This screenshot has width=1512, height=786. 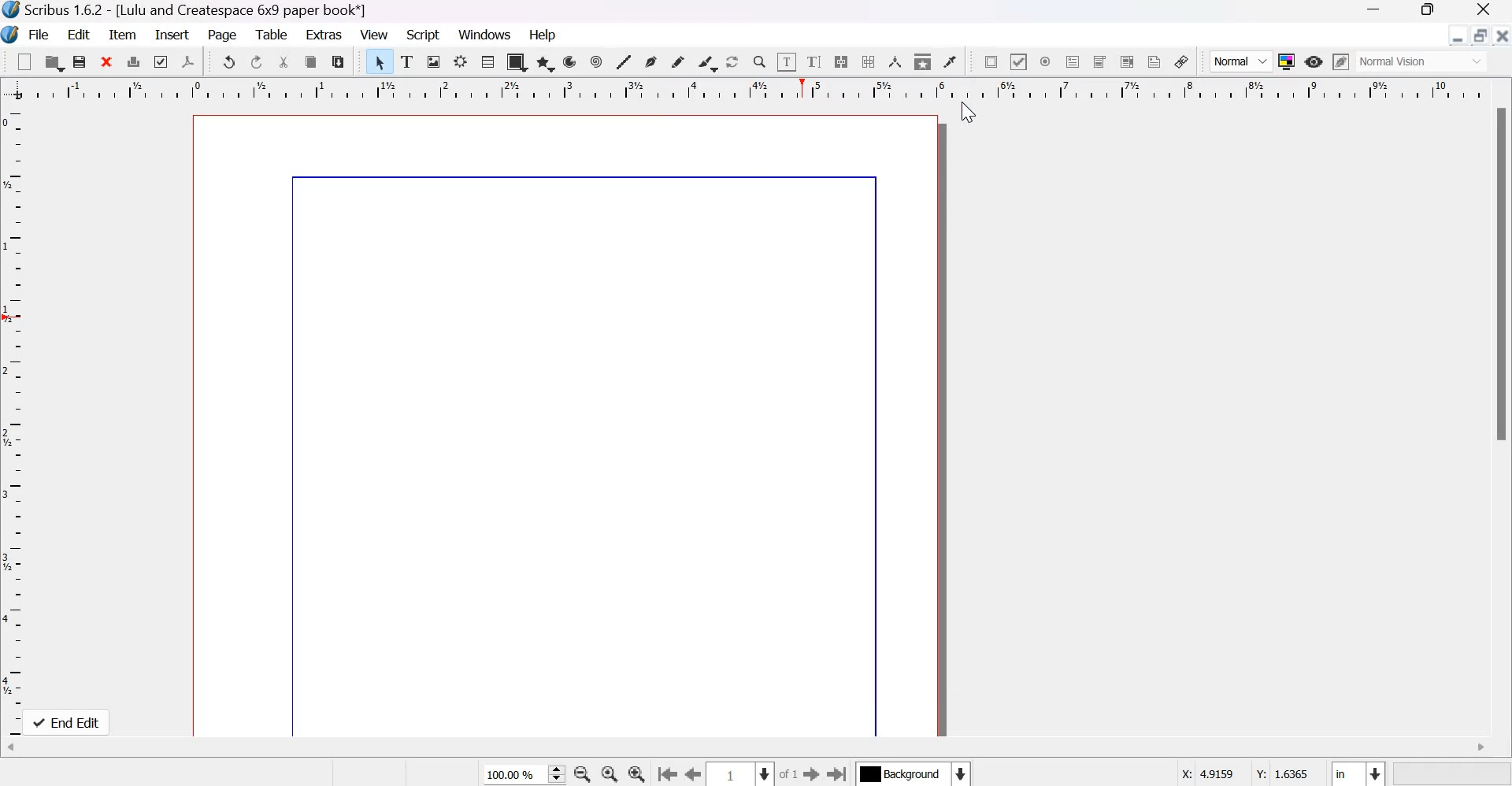 What do you see at coordinates (1481, 35) in the screenshot?
I see `resize` at bounding box center [1481, 35].